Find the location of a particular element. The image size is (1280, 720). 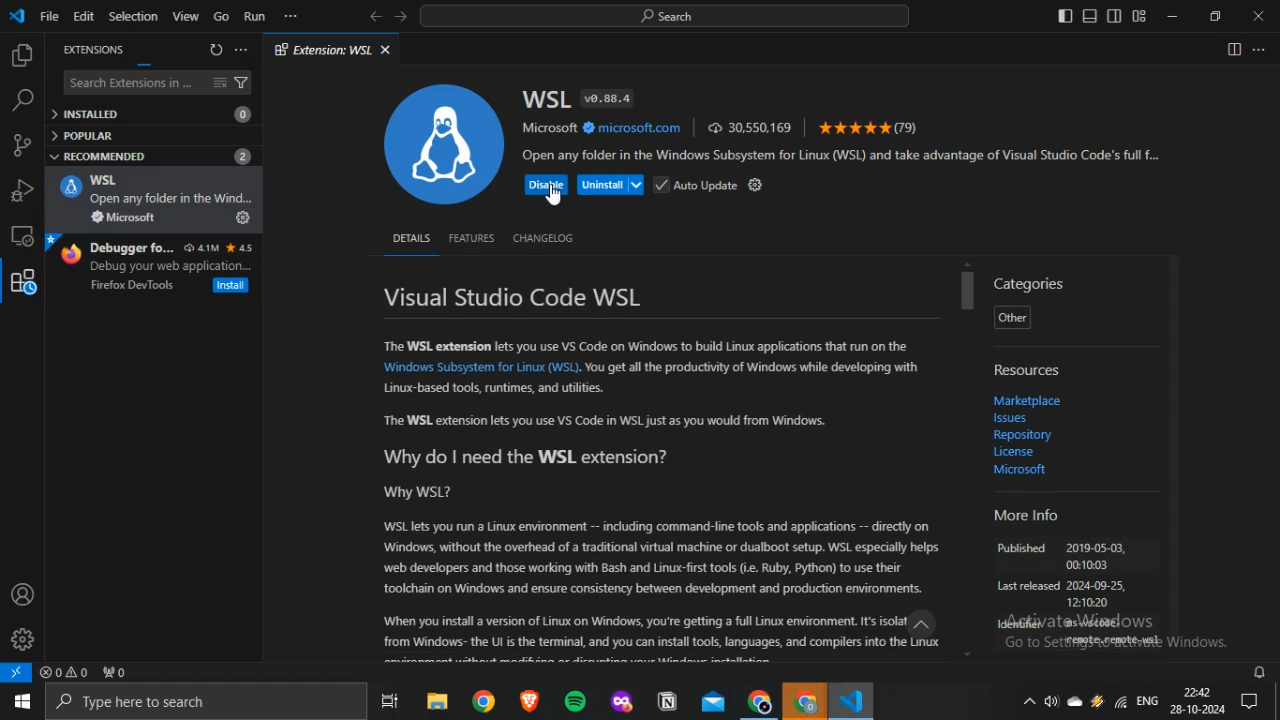

Extension: WSL is located at coordinates (323, 49).